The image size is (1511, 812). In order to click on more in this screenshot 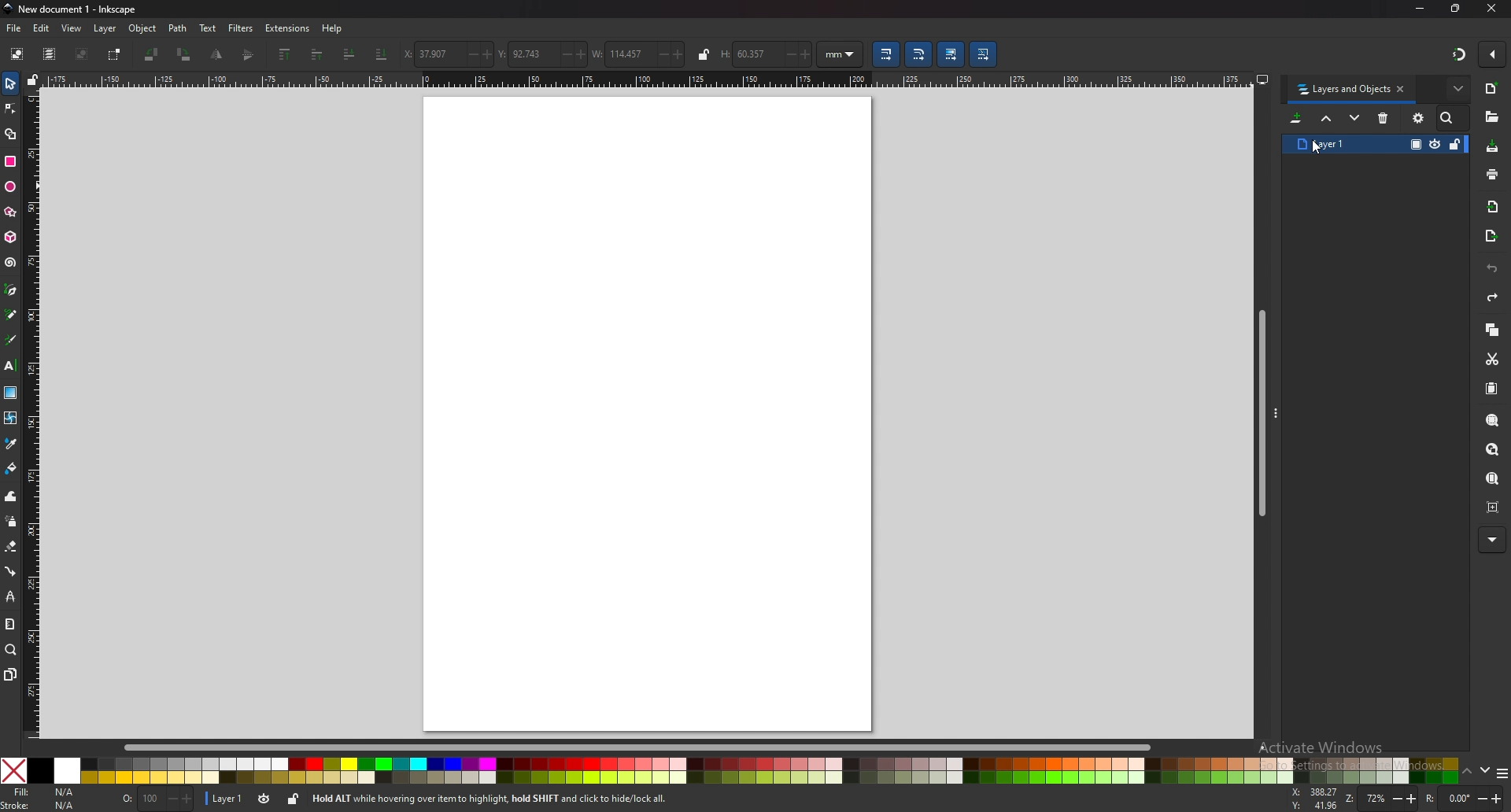, I will do `click(1458, 88)`.